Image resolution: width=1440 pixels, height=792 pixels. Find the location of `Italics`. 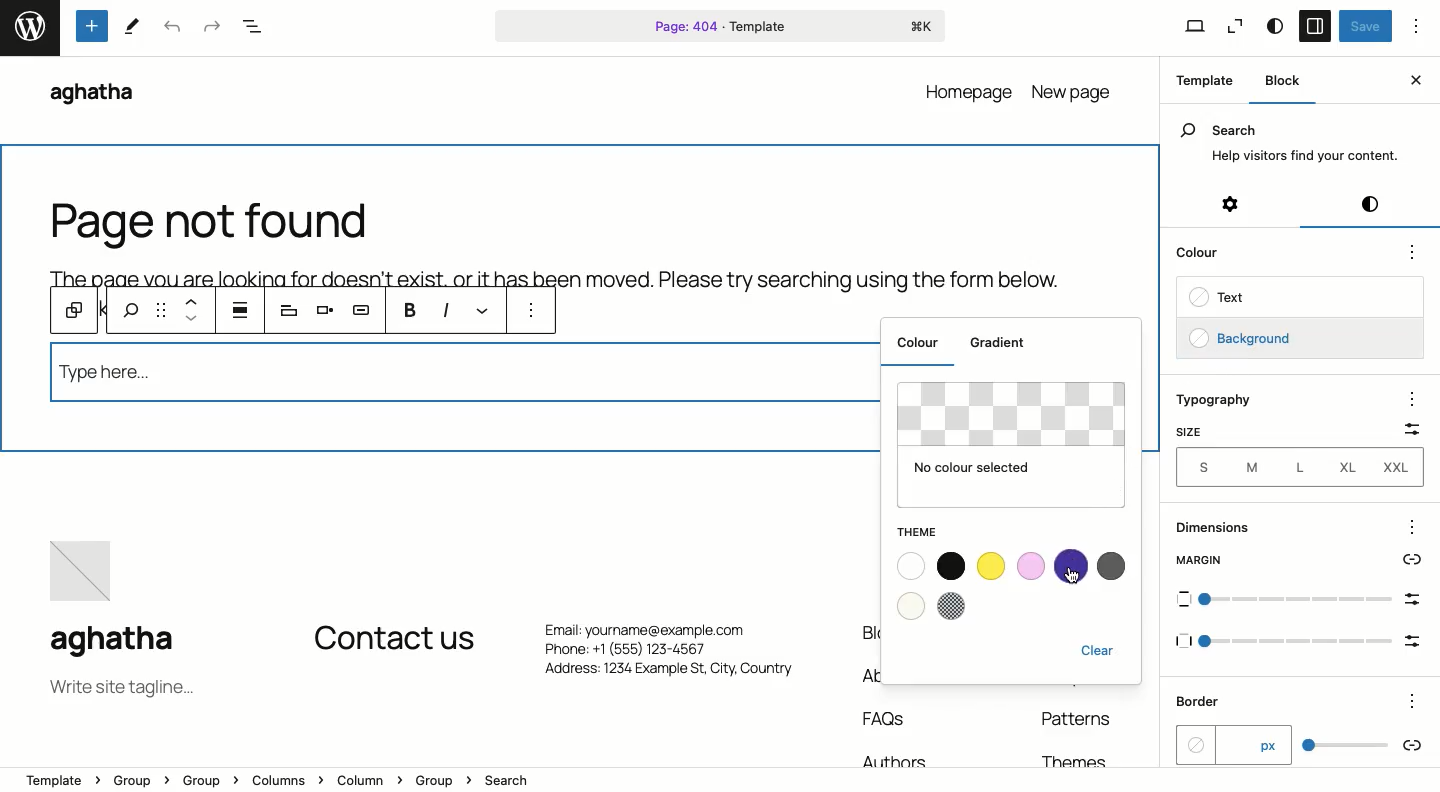

Italics is located at coordinates (448, 310).